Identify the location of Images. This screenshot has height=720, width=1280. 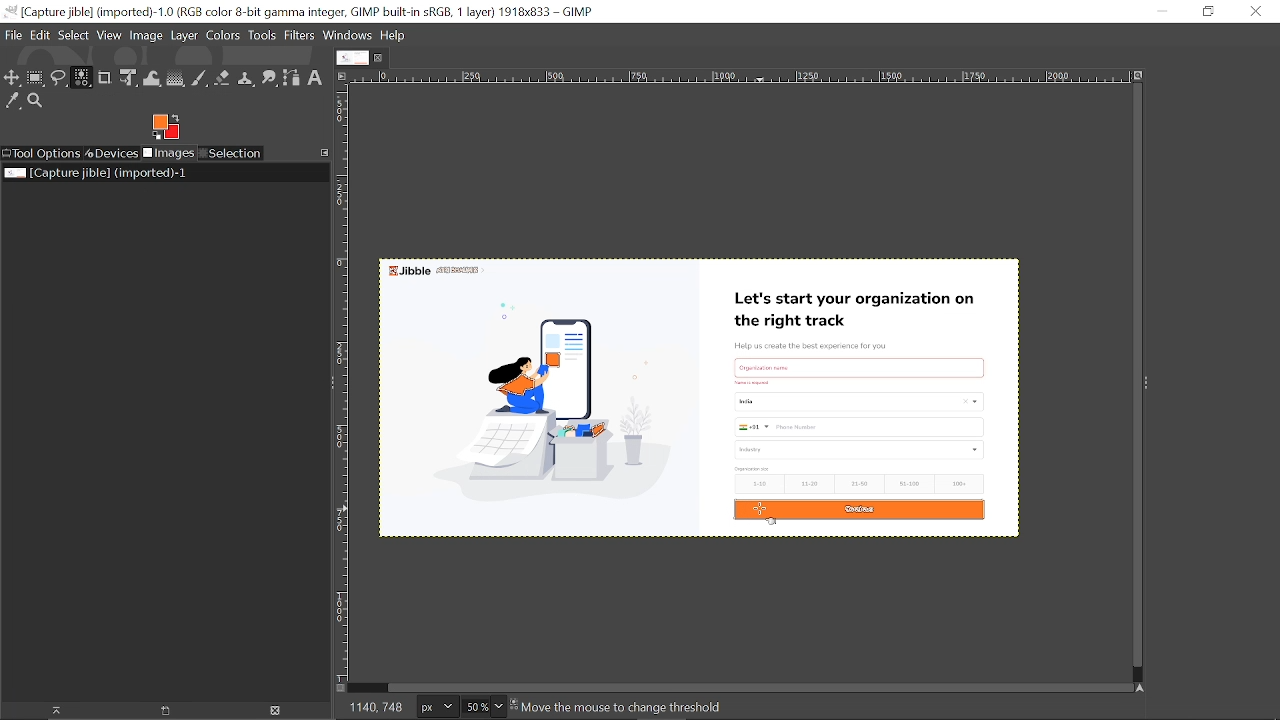
(168, 154).